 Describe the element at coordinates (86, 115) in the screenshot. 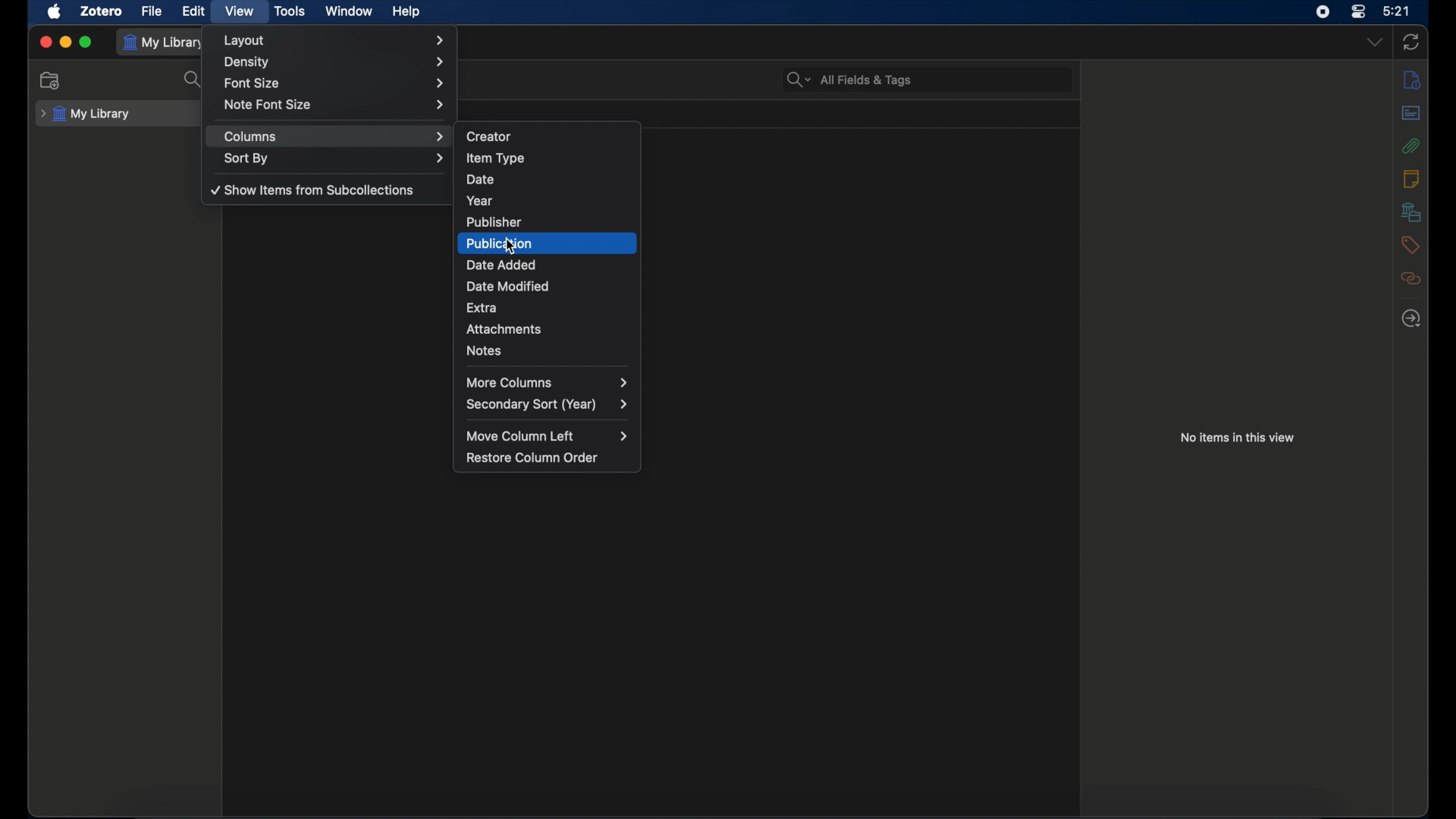

I see `my library` at that location.